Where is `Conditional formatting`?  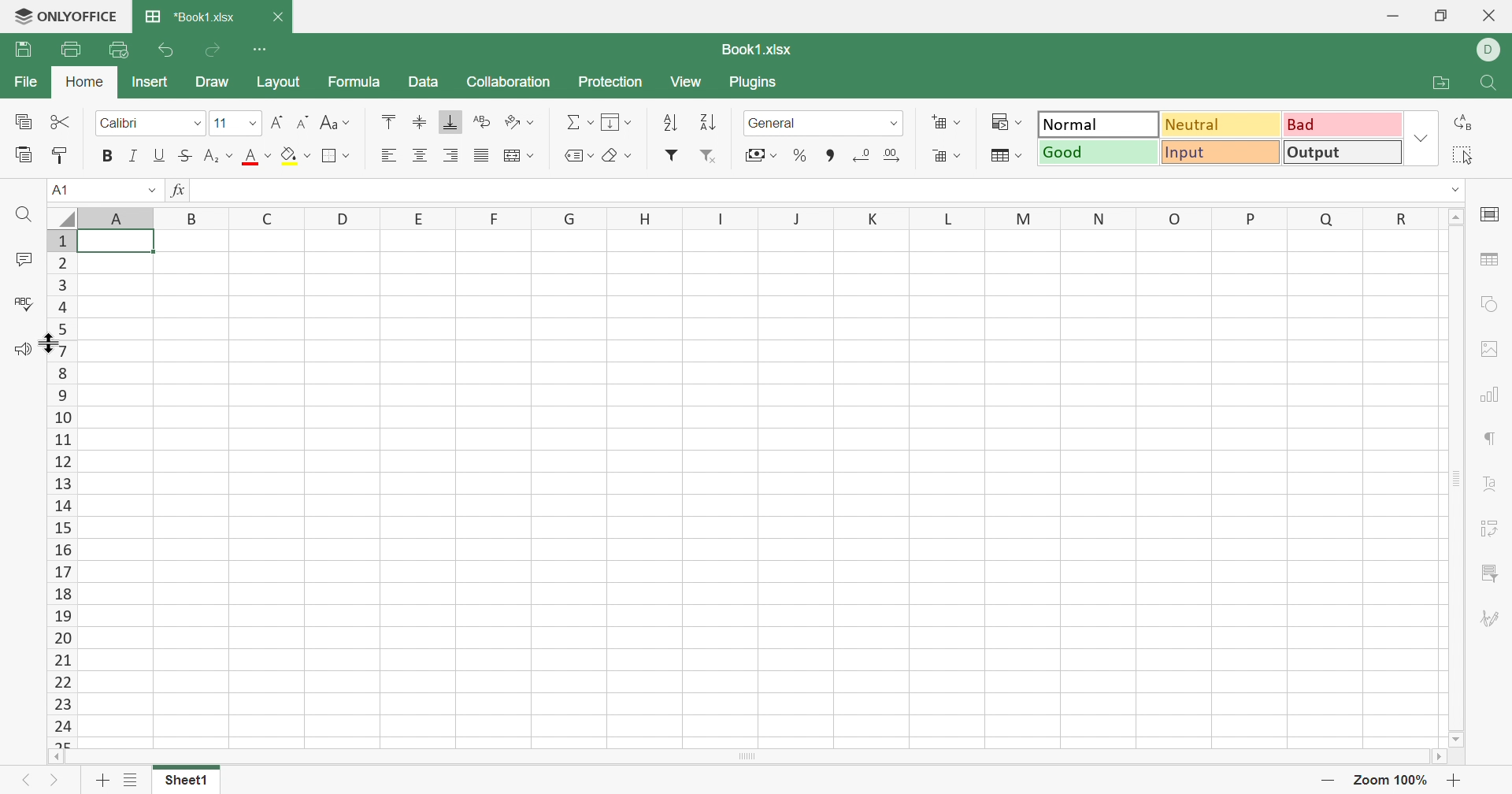 Conditional formatting is located at coordinates (1002, 118).